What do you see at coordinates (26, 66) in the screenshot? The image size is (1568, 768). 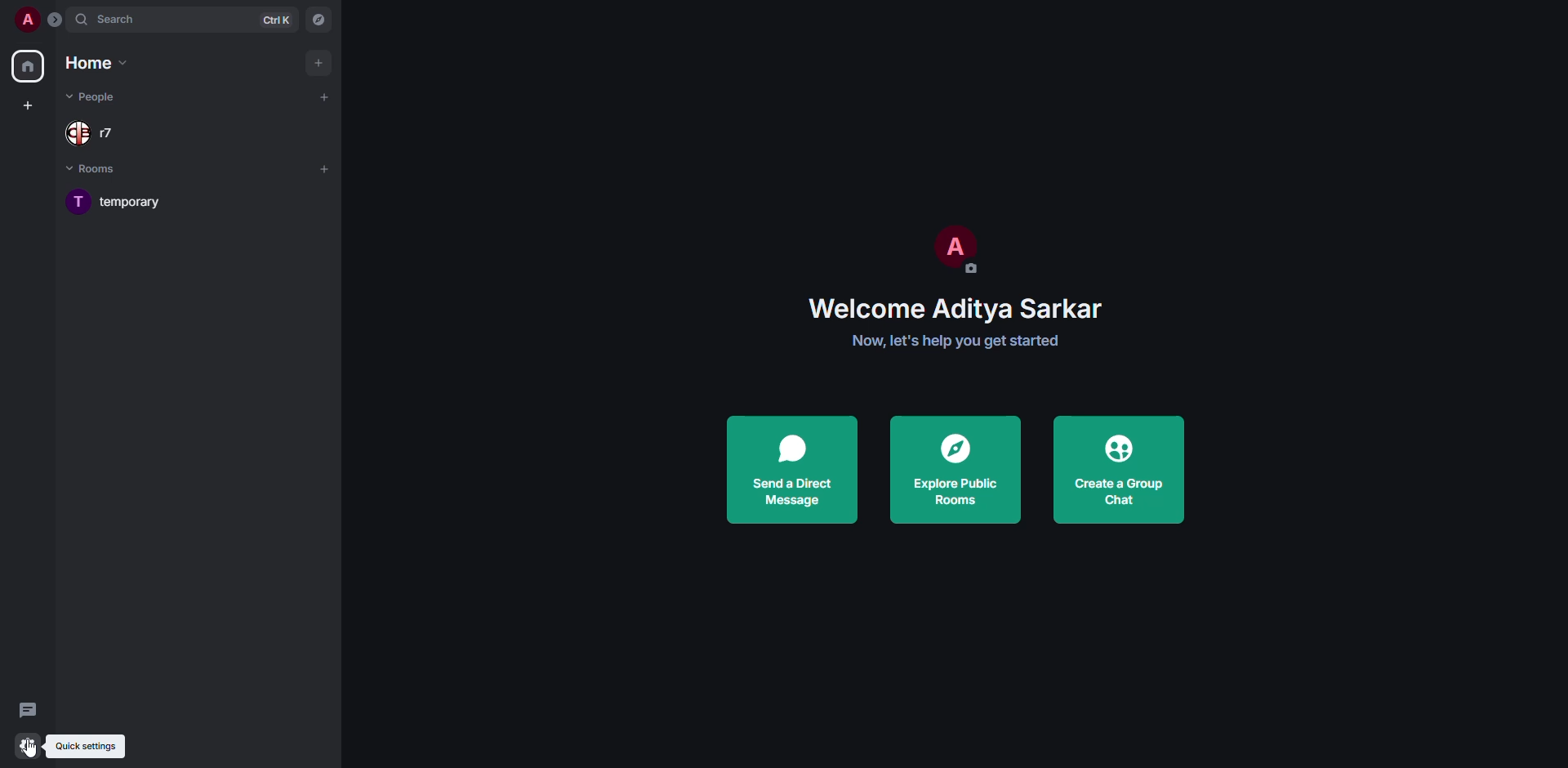 I see `home` at bounding box center [26, 66].